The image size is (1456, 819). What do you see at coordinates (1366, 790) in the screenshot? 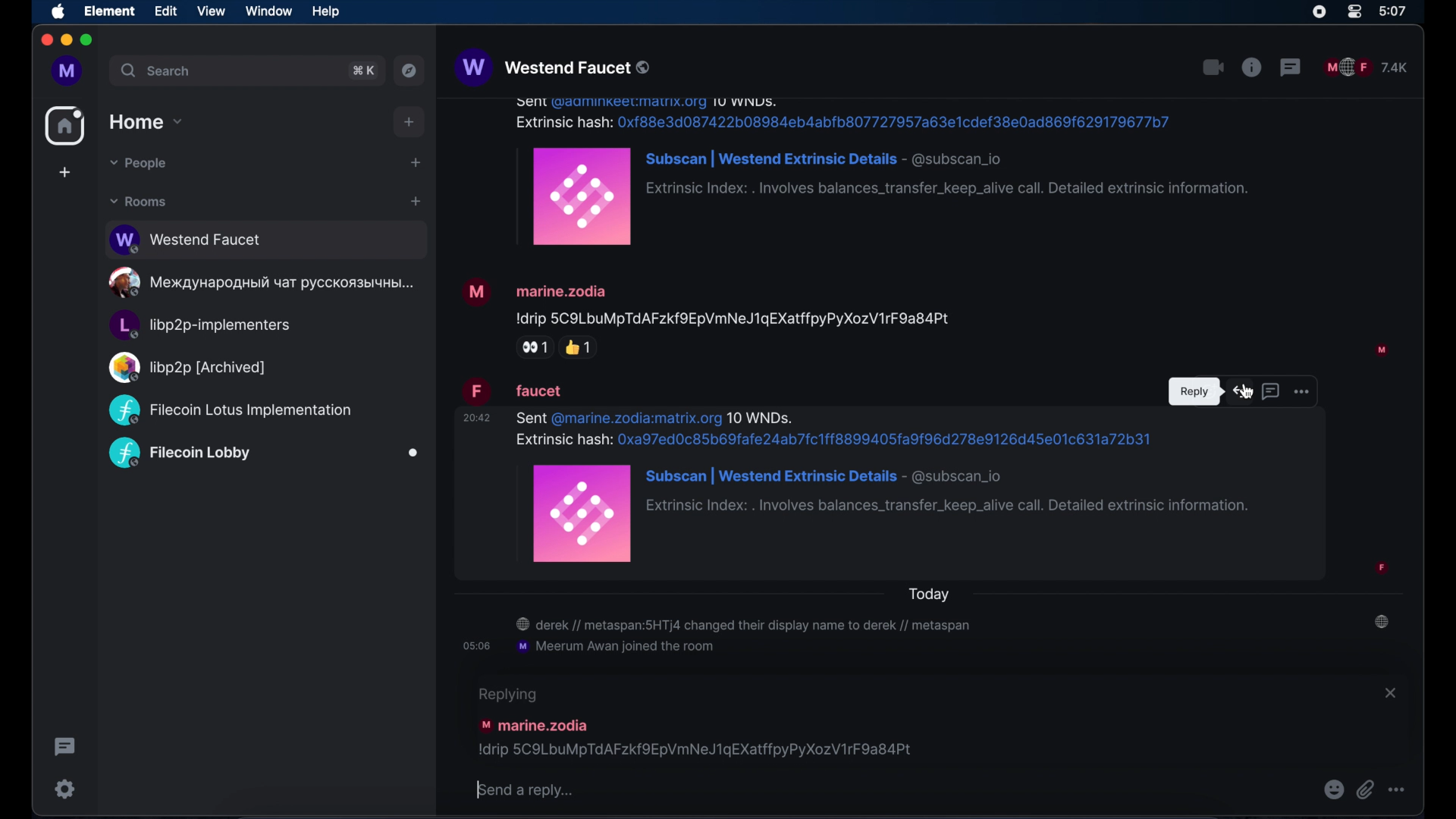
I see `attach file` at bounding box center [1366, 790].